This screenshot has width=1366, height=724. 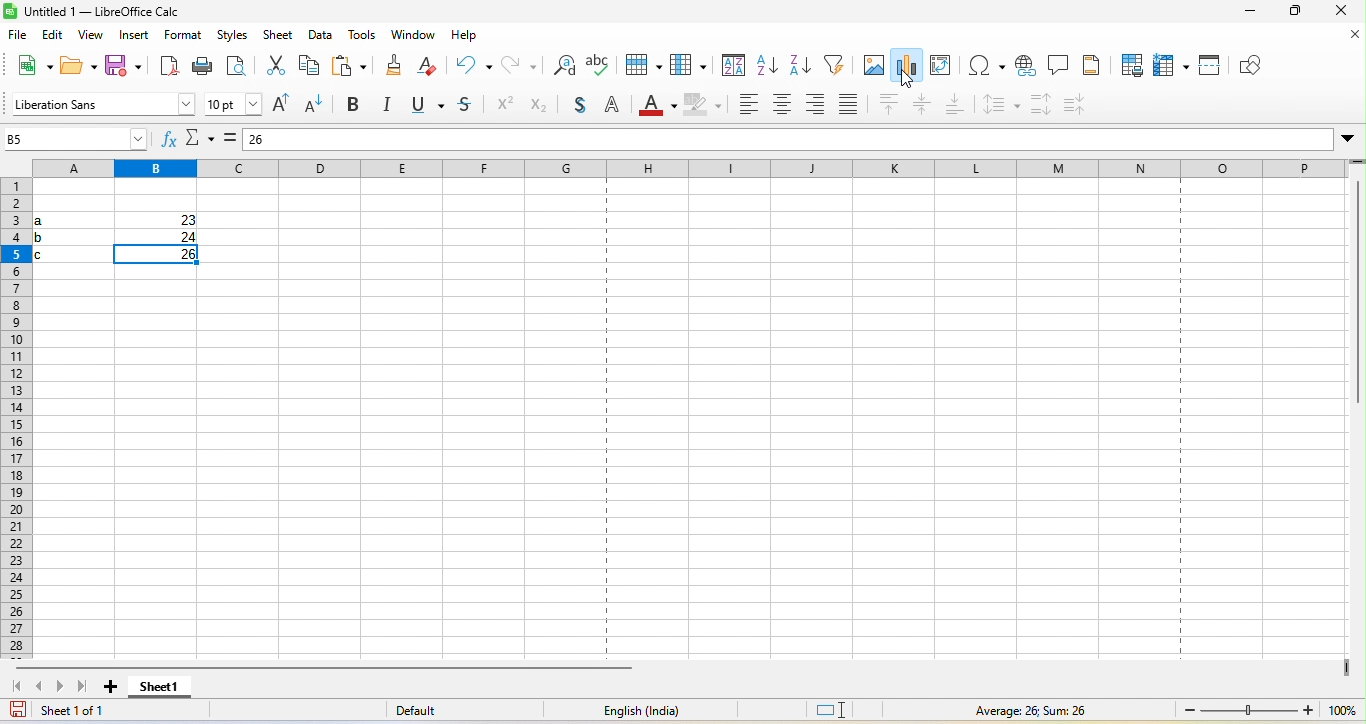 What do you see at coordinates (1043, 104) in the screenshot?
I see `increase paragraph spacing` at bounding box center [1043, 104].